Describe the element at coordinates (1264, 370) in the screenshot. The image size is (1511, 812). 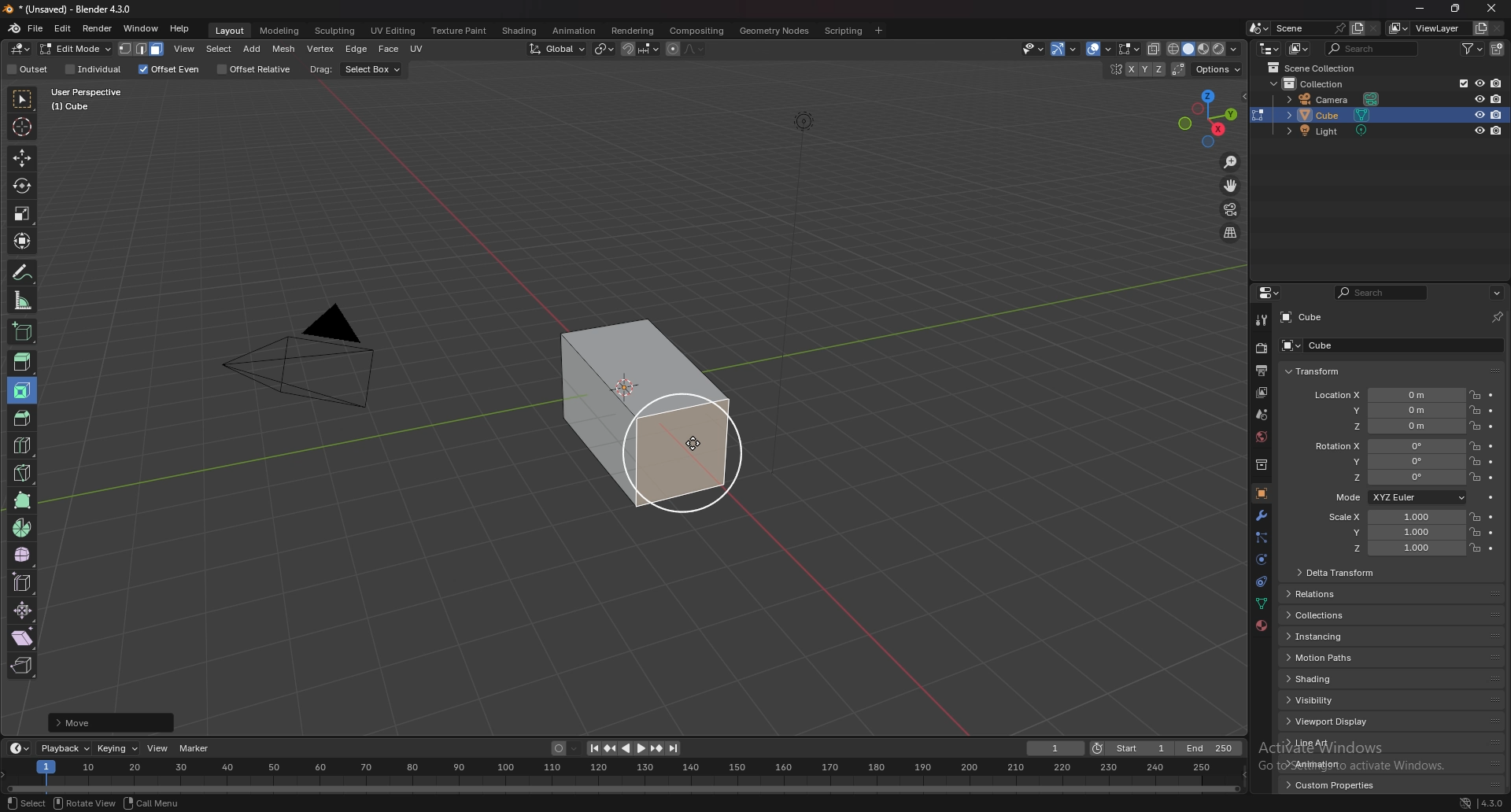
I see `output` at that location.